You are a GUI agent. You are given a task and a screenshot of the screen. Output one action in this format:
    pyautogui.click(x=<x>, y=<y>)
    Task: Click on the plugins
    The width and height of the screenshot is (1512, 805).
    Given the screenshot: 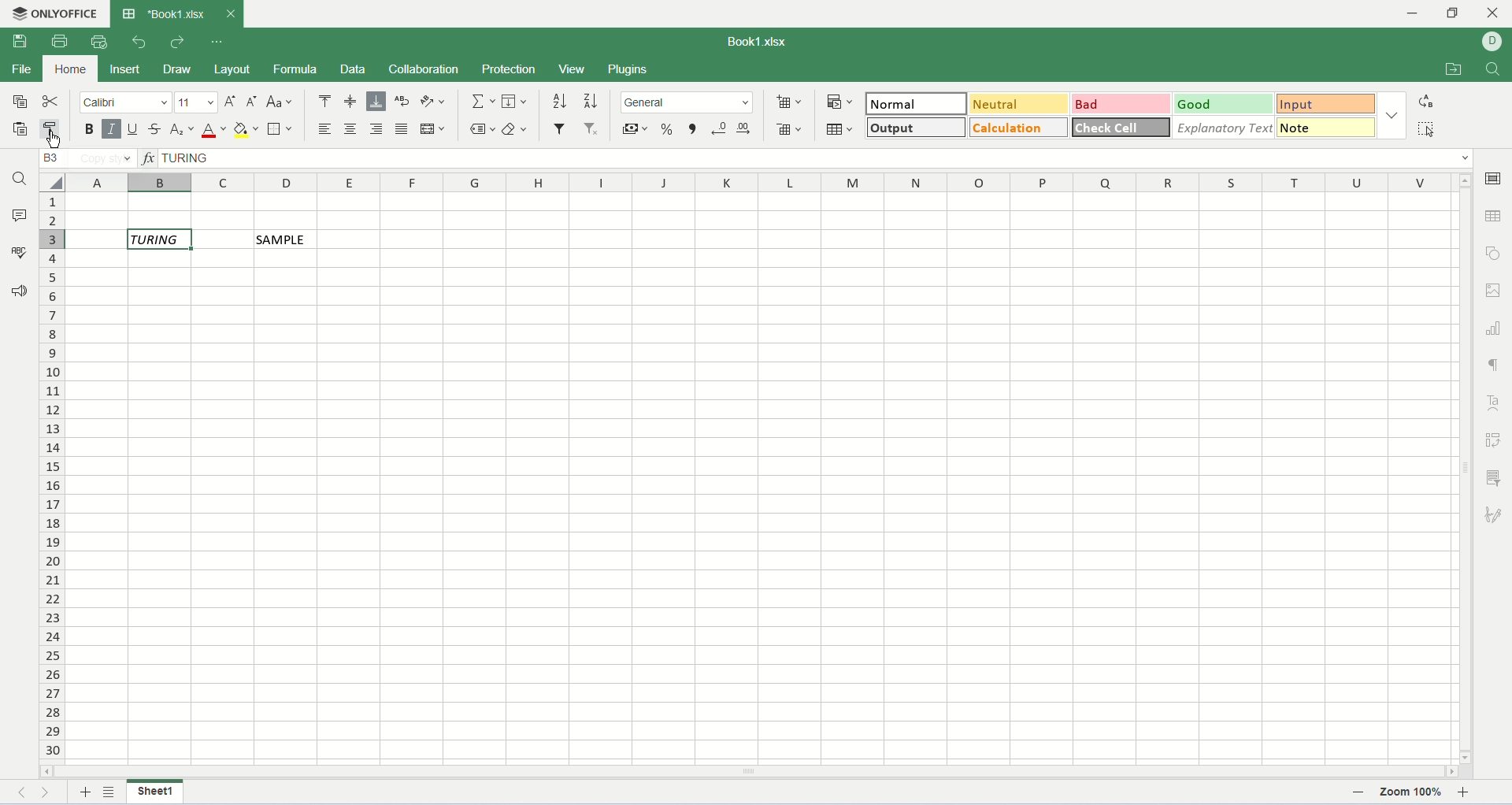 What is the action you would take?
    pyautogui.click(x=627, y=71)
    